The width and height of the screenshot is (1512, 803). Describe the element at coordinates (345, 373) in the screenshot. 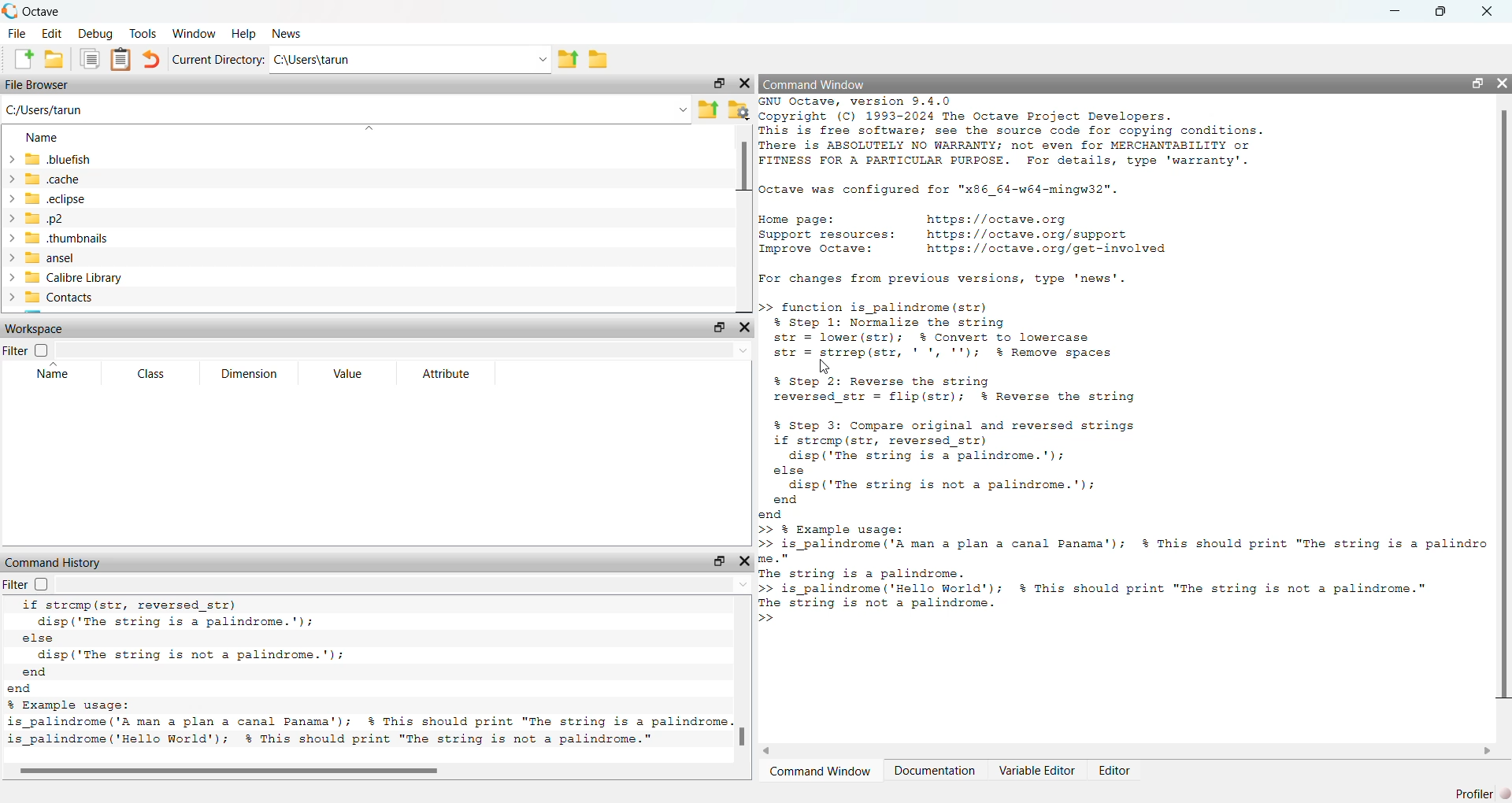

I see `value` at that location.